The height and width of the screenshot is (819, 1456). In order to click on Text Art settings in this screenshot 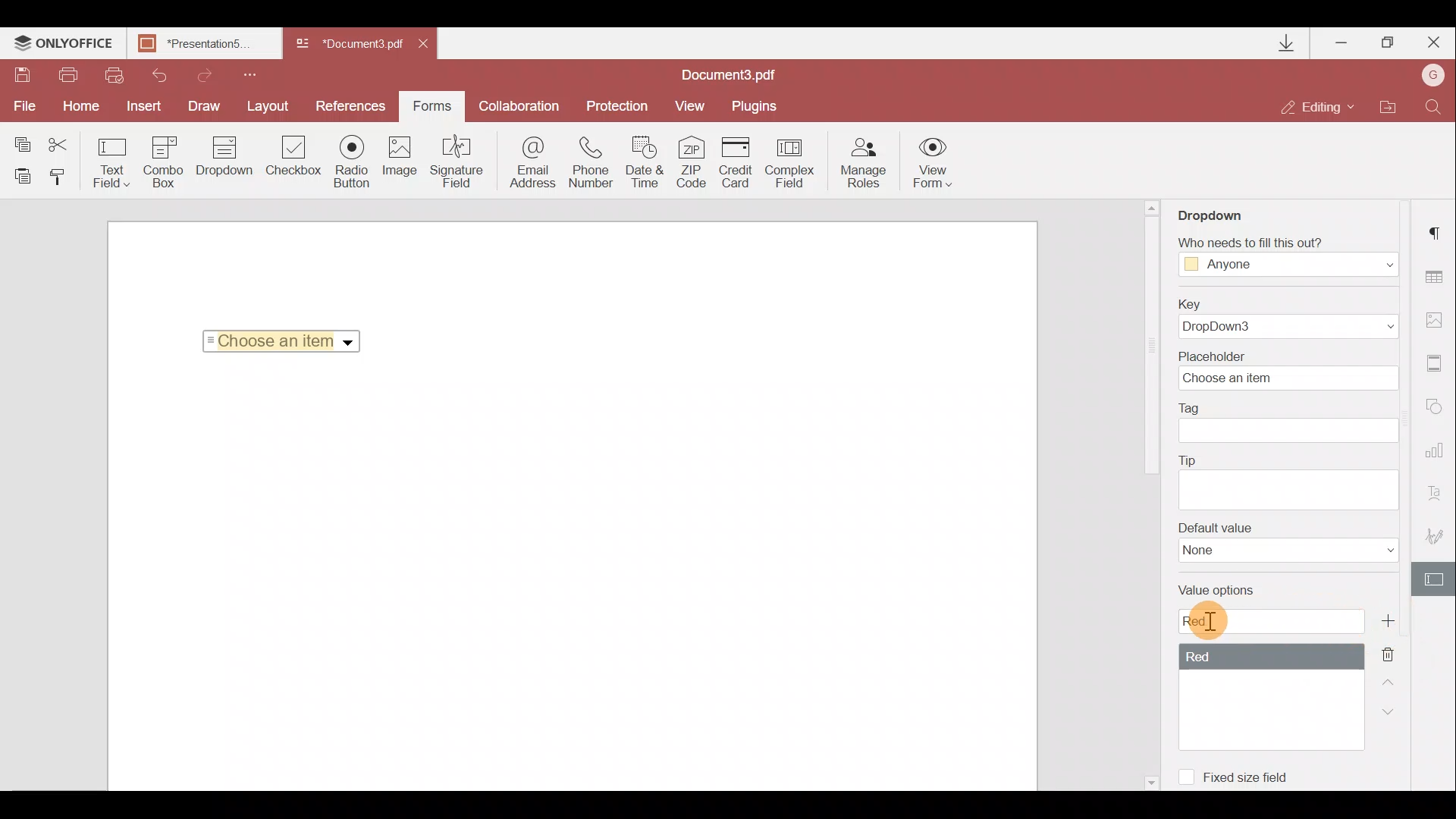, I will do `click(1439, 491)`.